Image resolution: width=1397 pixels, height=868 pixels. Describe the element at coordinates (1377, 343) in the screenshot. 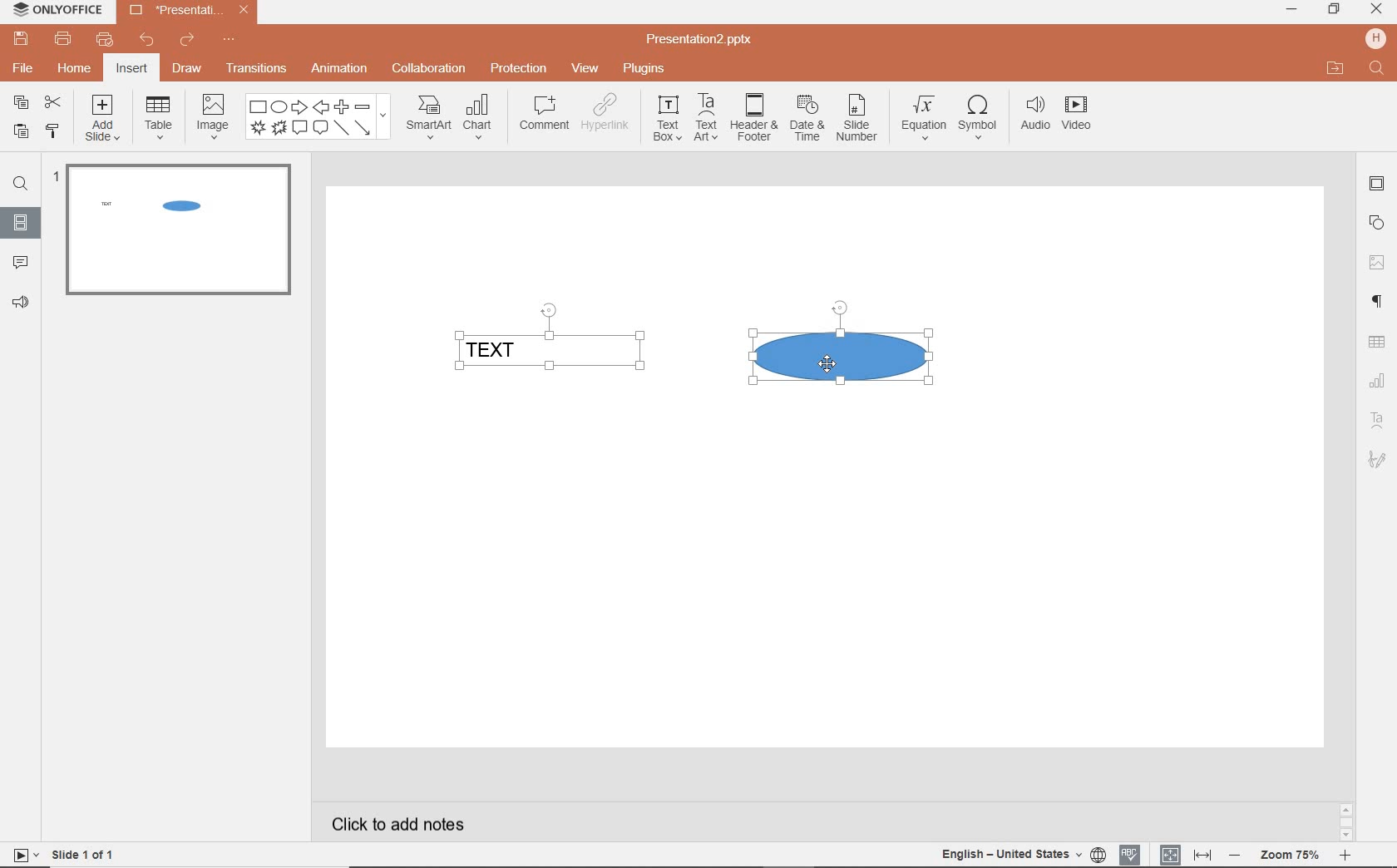

I see `TABLE SETTINGS` at that location.